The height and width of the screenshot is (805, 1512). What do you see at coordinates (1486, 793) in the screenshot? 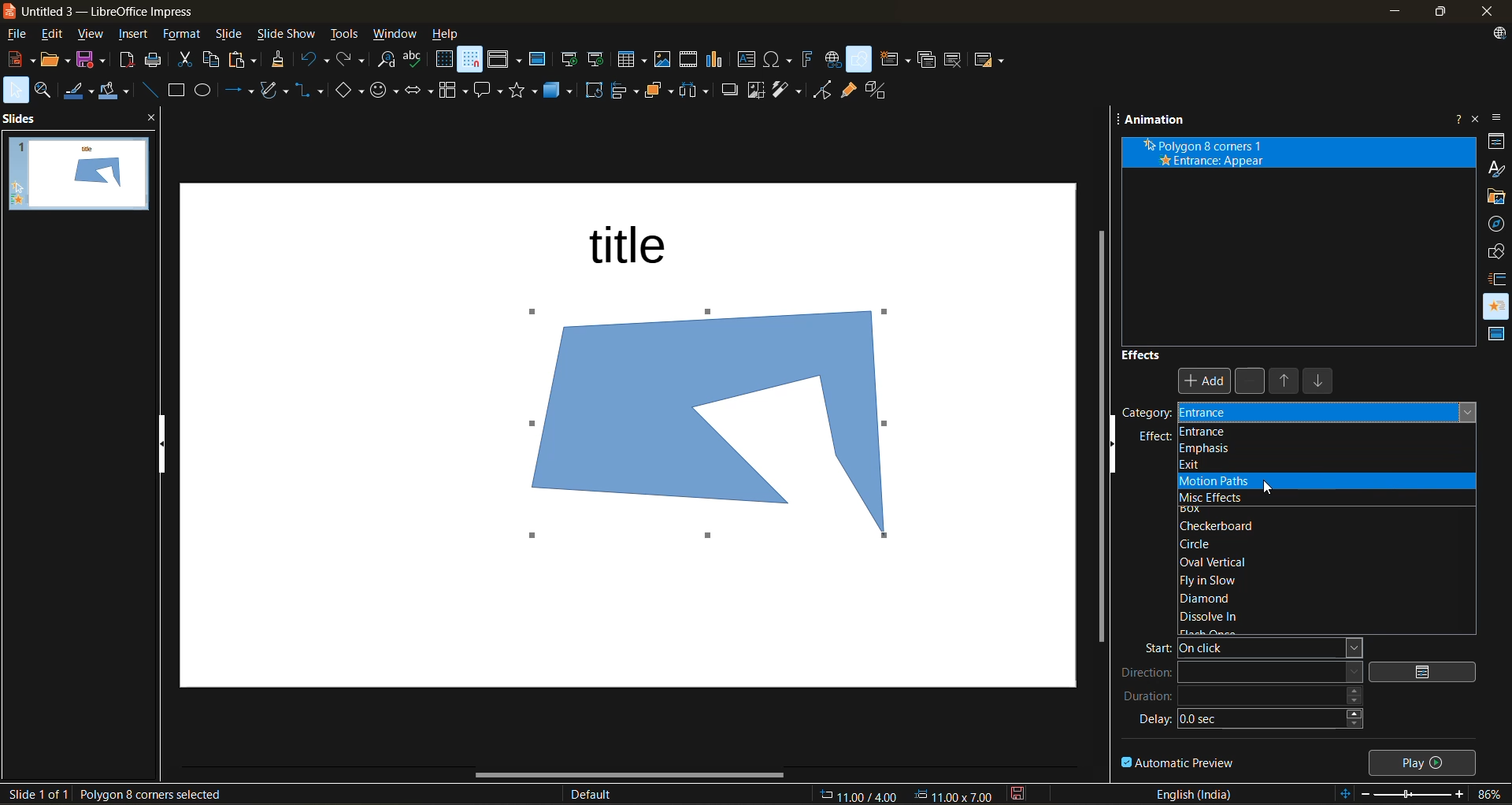
I see `zoom factor` at bounding box center [1486, 793].